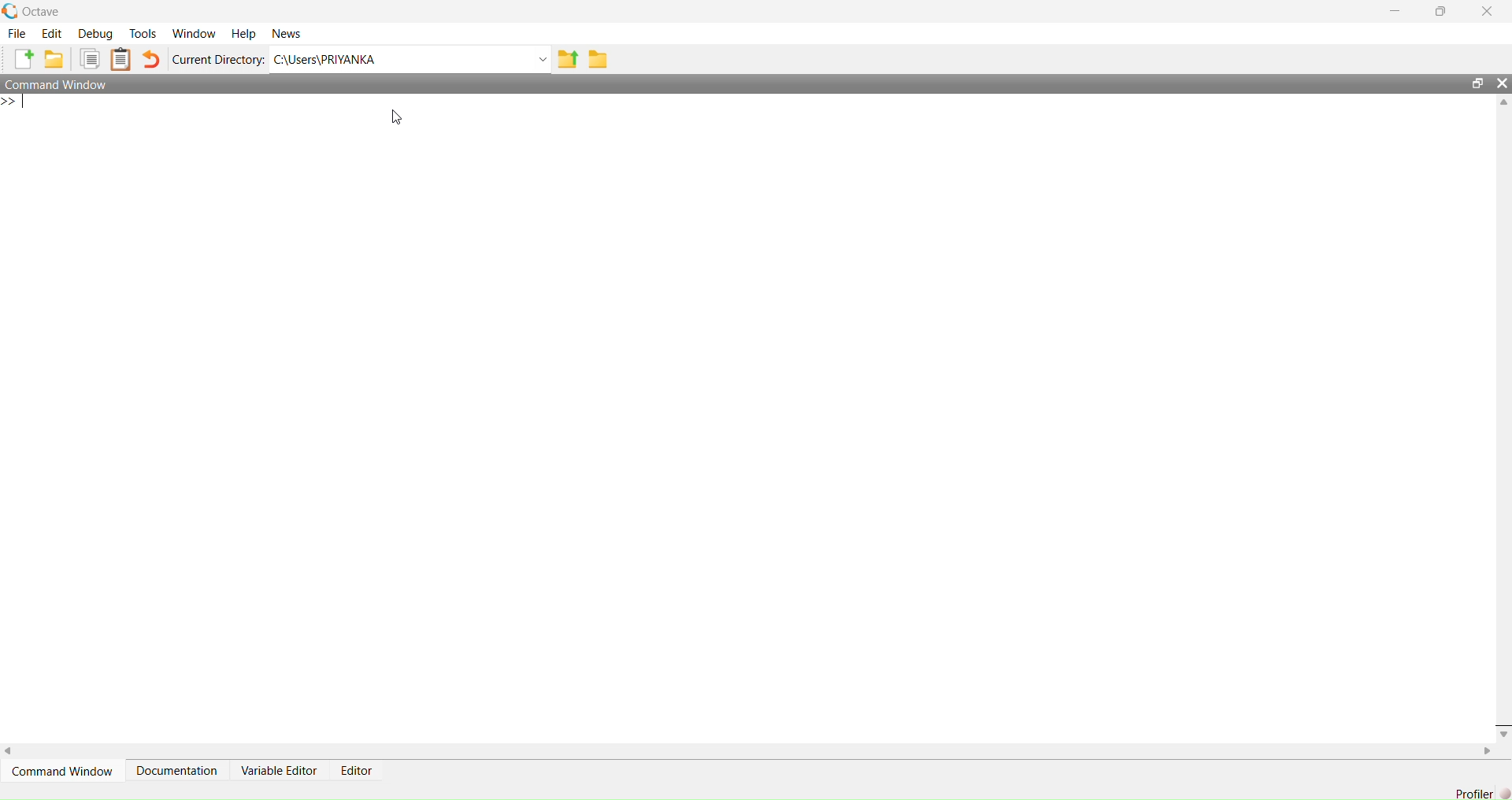 The height and width of the screenshot is (800, 1512). What do you see at coordinates (1503, 107) in the screenshot?
I see `Up` at bounding box center [1503, 107].